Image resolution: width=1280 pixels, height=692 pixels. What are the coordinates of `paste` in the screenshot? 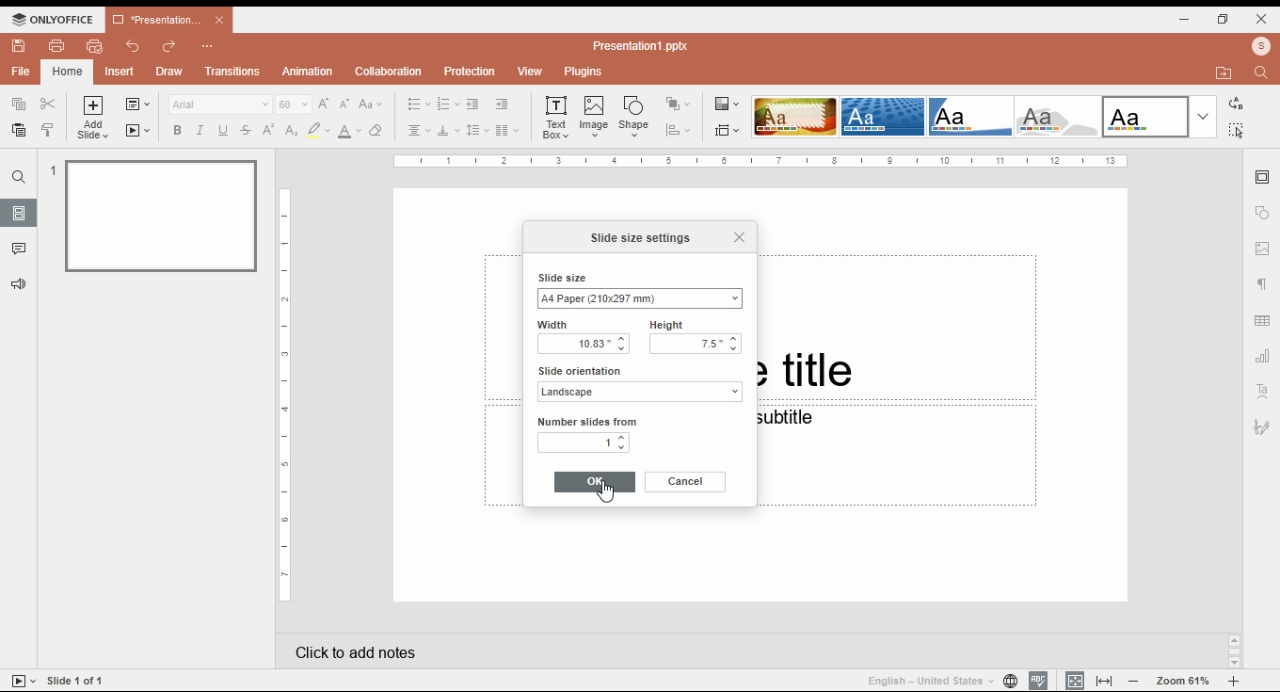 It's located at (17, 130).